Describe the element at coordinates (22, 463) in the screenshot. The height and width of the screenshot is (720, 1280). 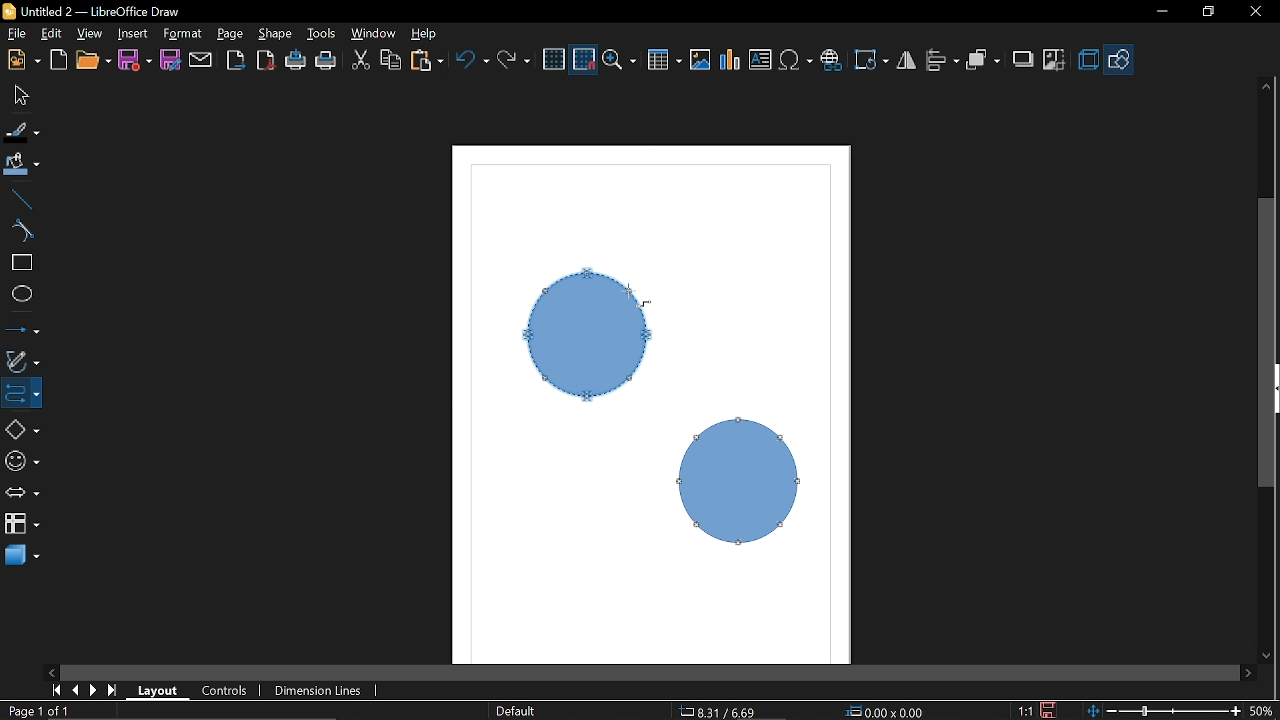
I see `Symbol shapes` at that location.